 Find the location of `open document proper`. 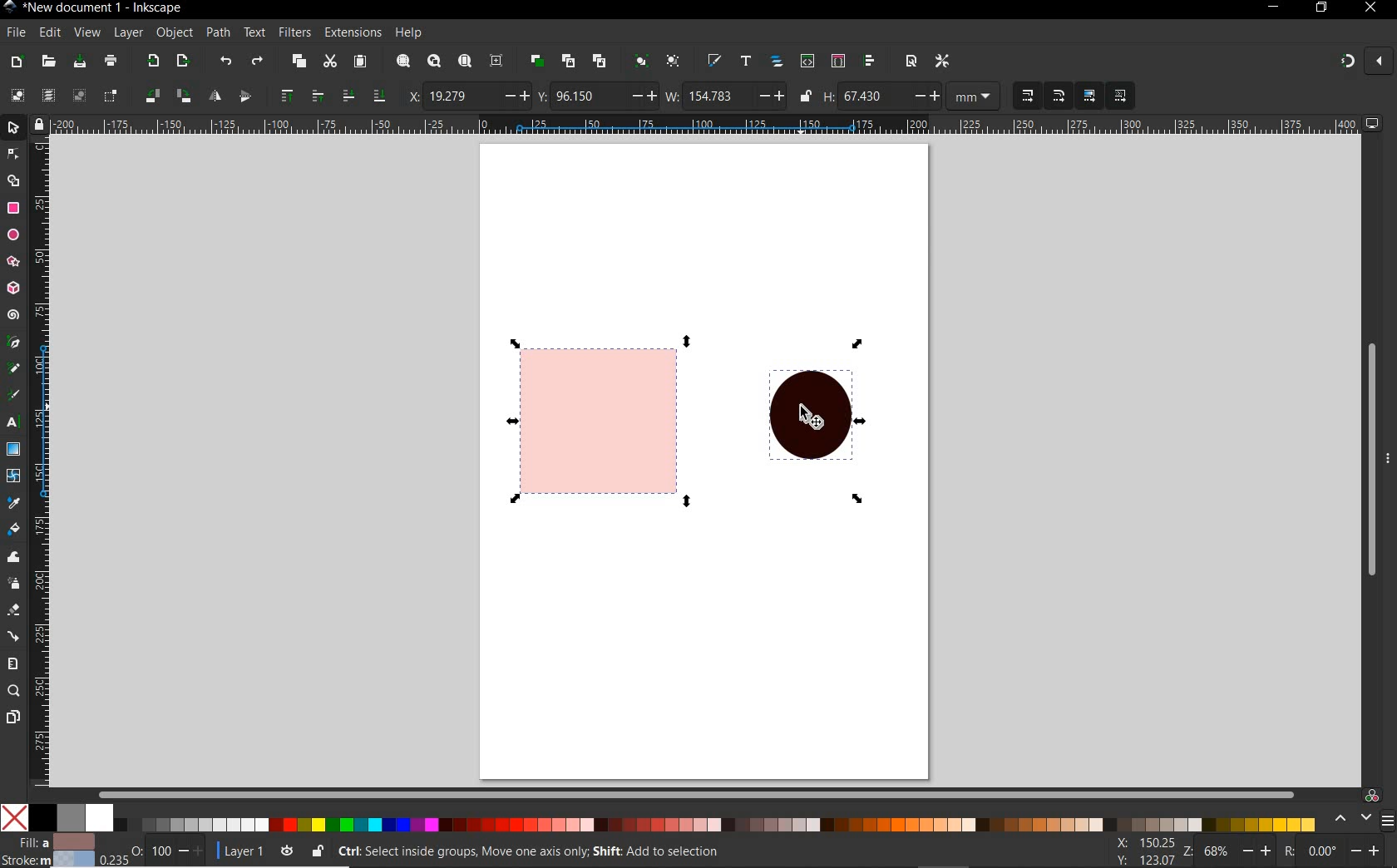

open document proper is located at coordinates (913, 62).